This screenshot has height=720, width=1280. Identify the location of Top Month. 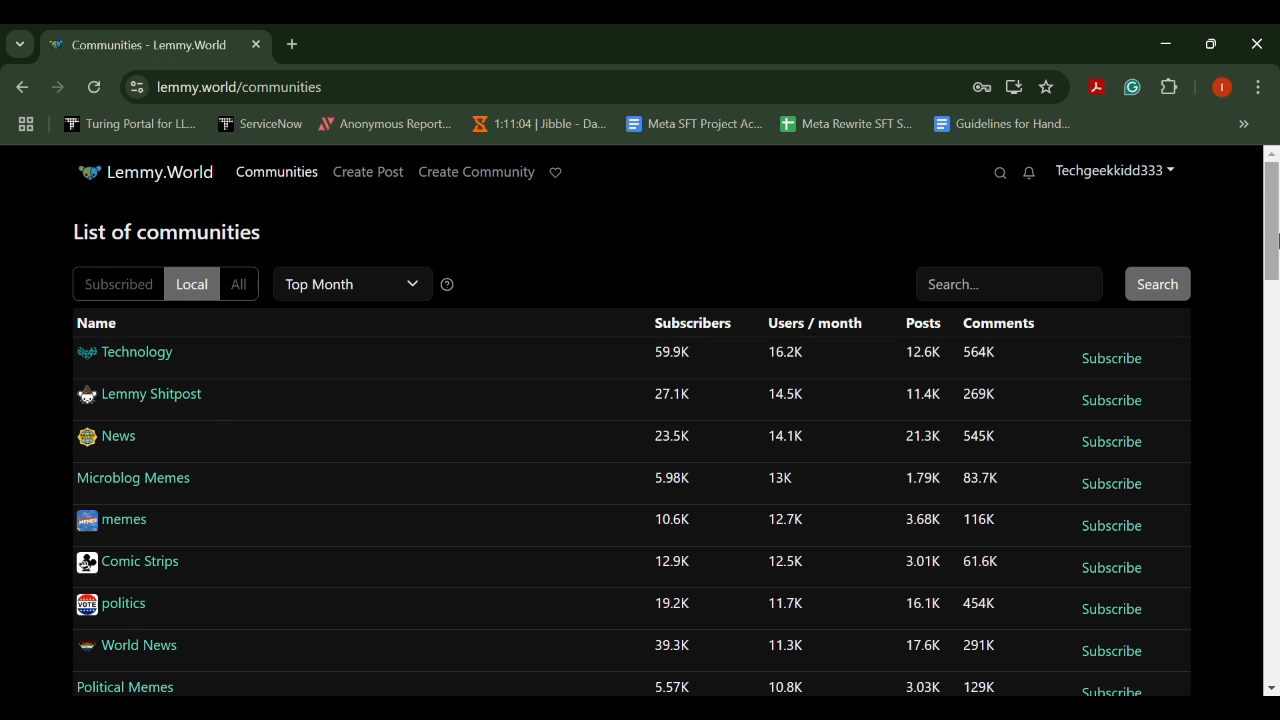
(355, 284).